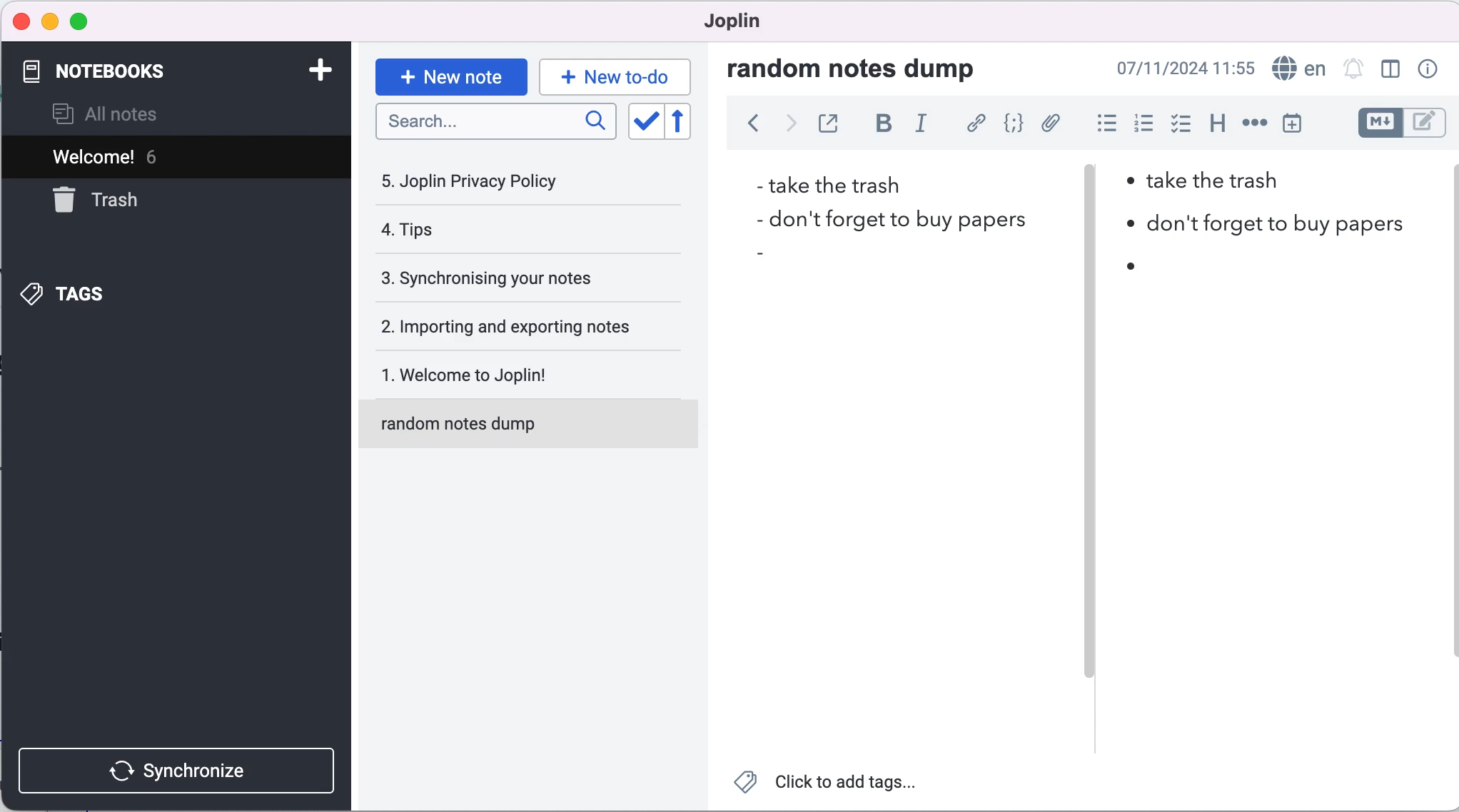 The image size is (1459, 812). I want to click on synchronising your notes, so click(512, 279).